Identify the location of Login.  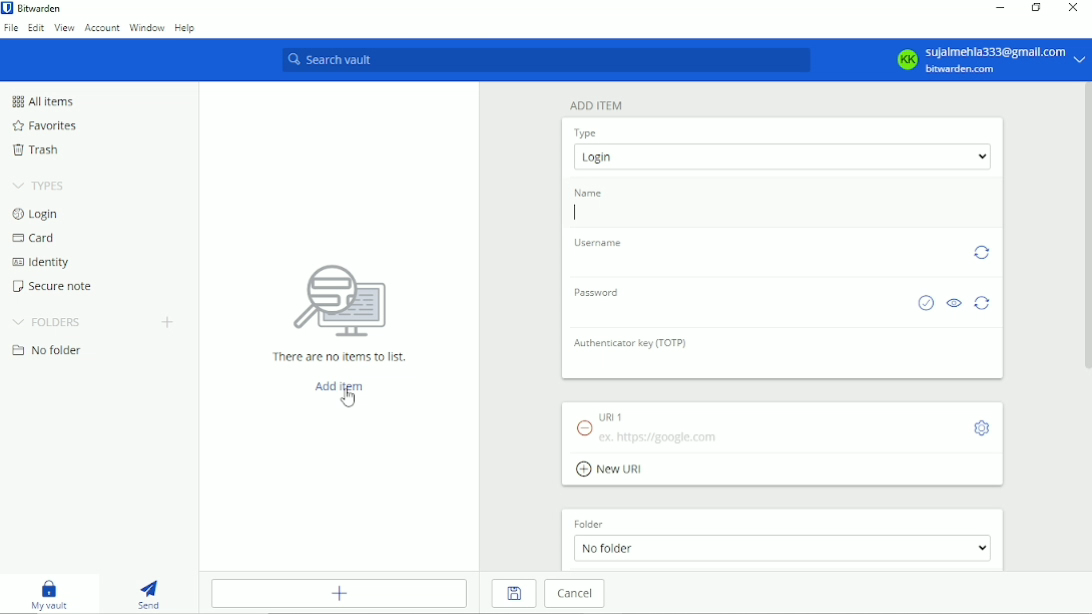
(36, 214).